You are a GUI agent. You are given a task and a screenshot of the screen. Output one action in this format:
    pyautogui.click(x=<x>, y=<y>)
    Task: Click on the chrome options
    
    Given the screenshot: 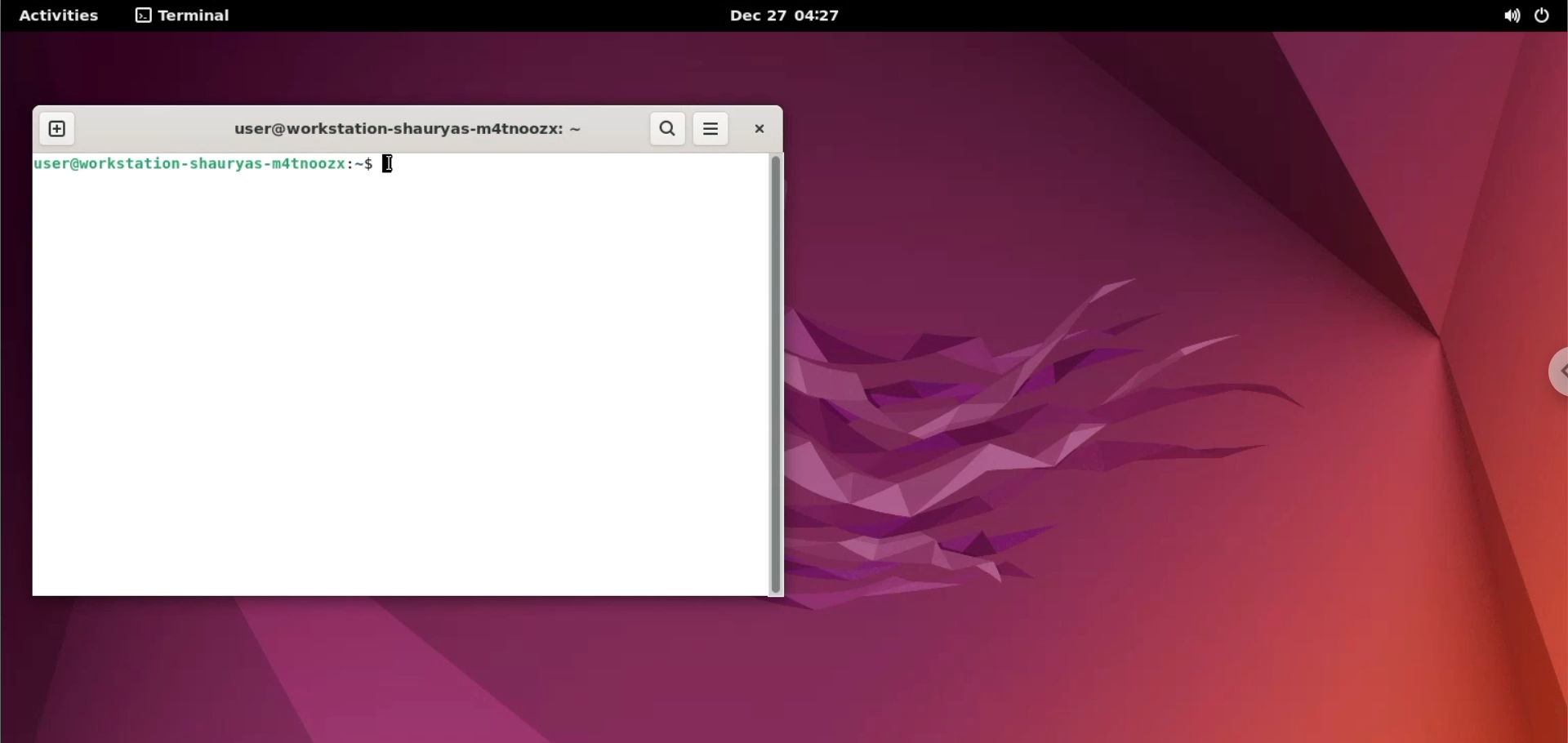 What is the action you would take?
    pyautogui.click(x=1552, y=372)
    